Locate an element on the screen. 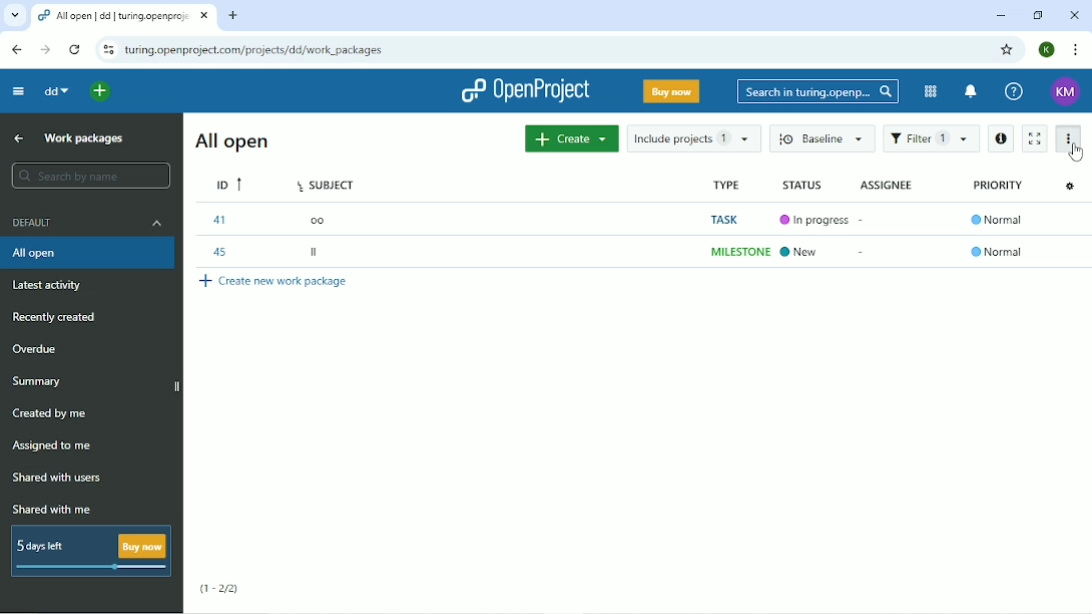  Account is located at coordinates (1049, 49).